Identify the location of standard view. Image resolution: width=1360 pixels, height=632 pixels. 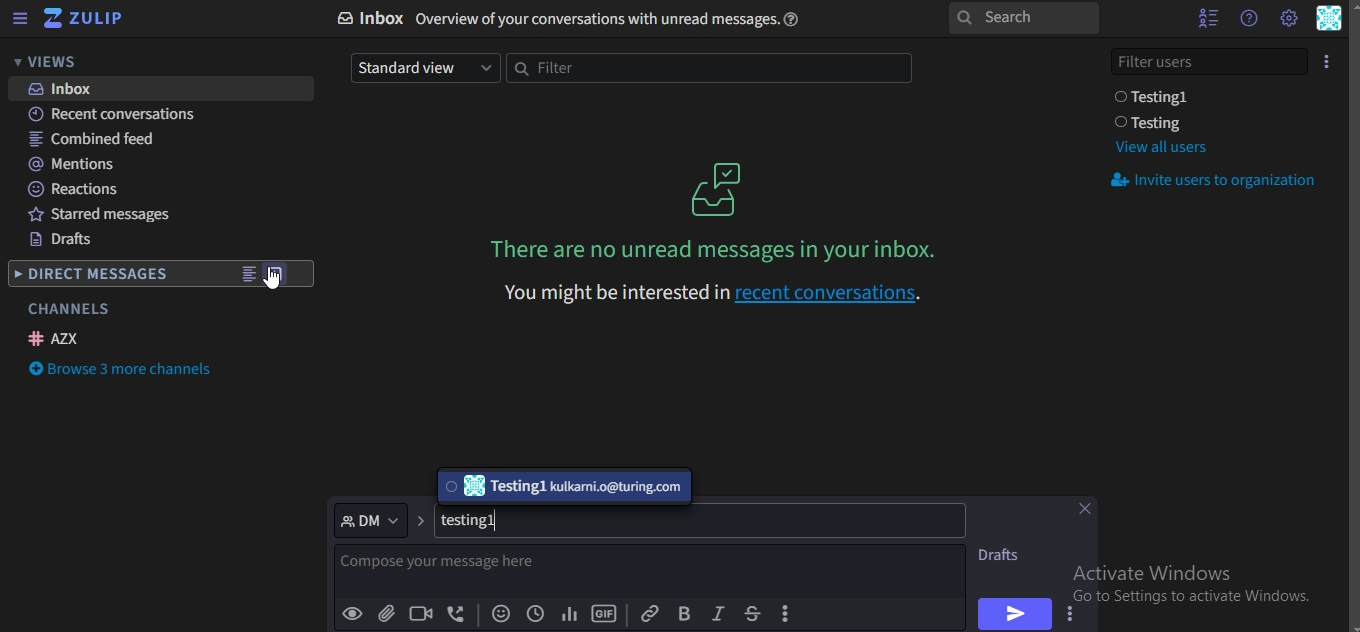
(422, 67).